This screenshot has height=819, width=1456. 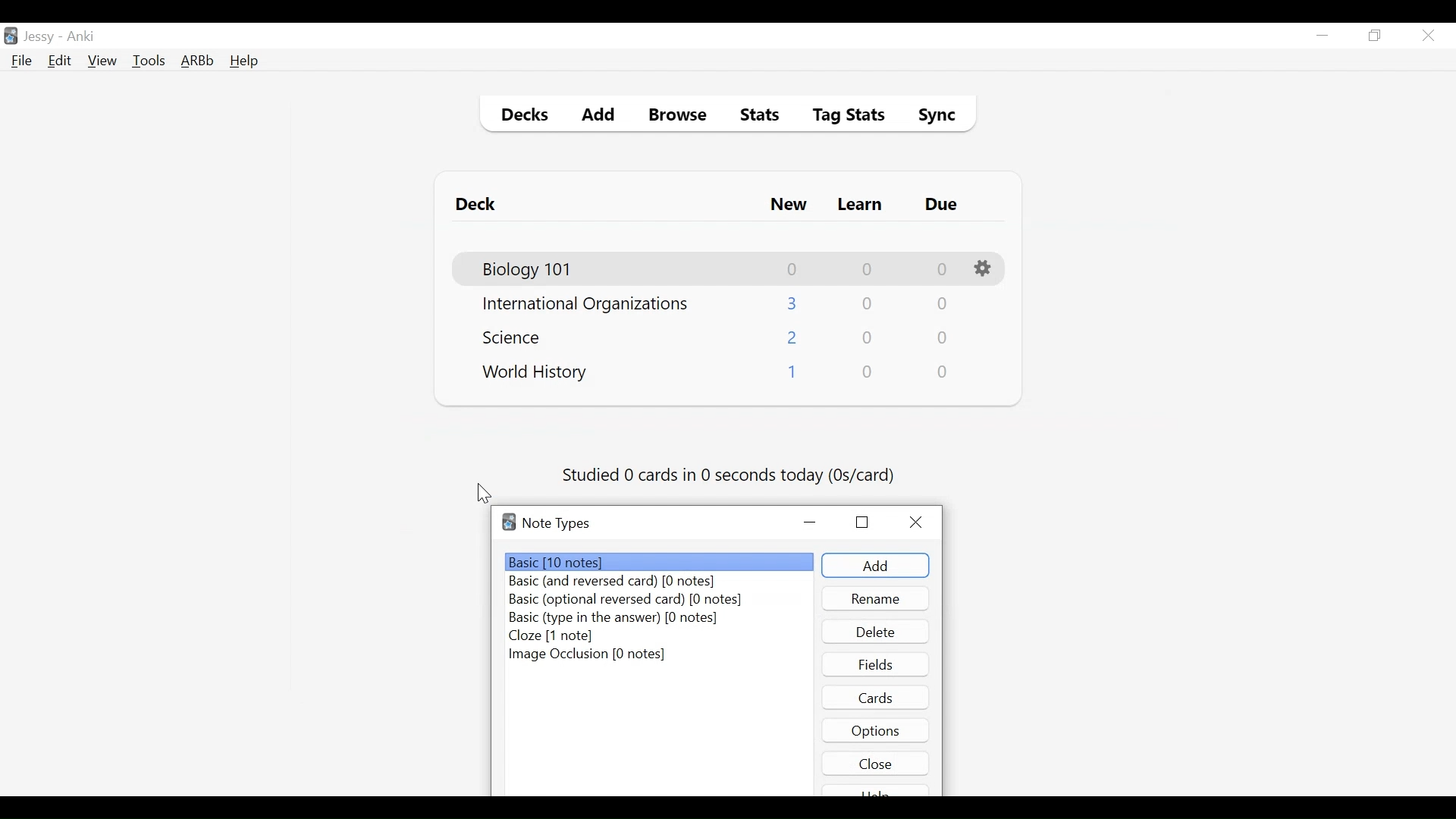 I want to click on Help, so click(x=243, y=62).